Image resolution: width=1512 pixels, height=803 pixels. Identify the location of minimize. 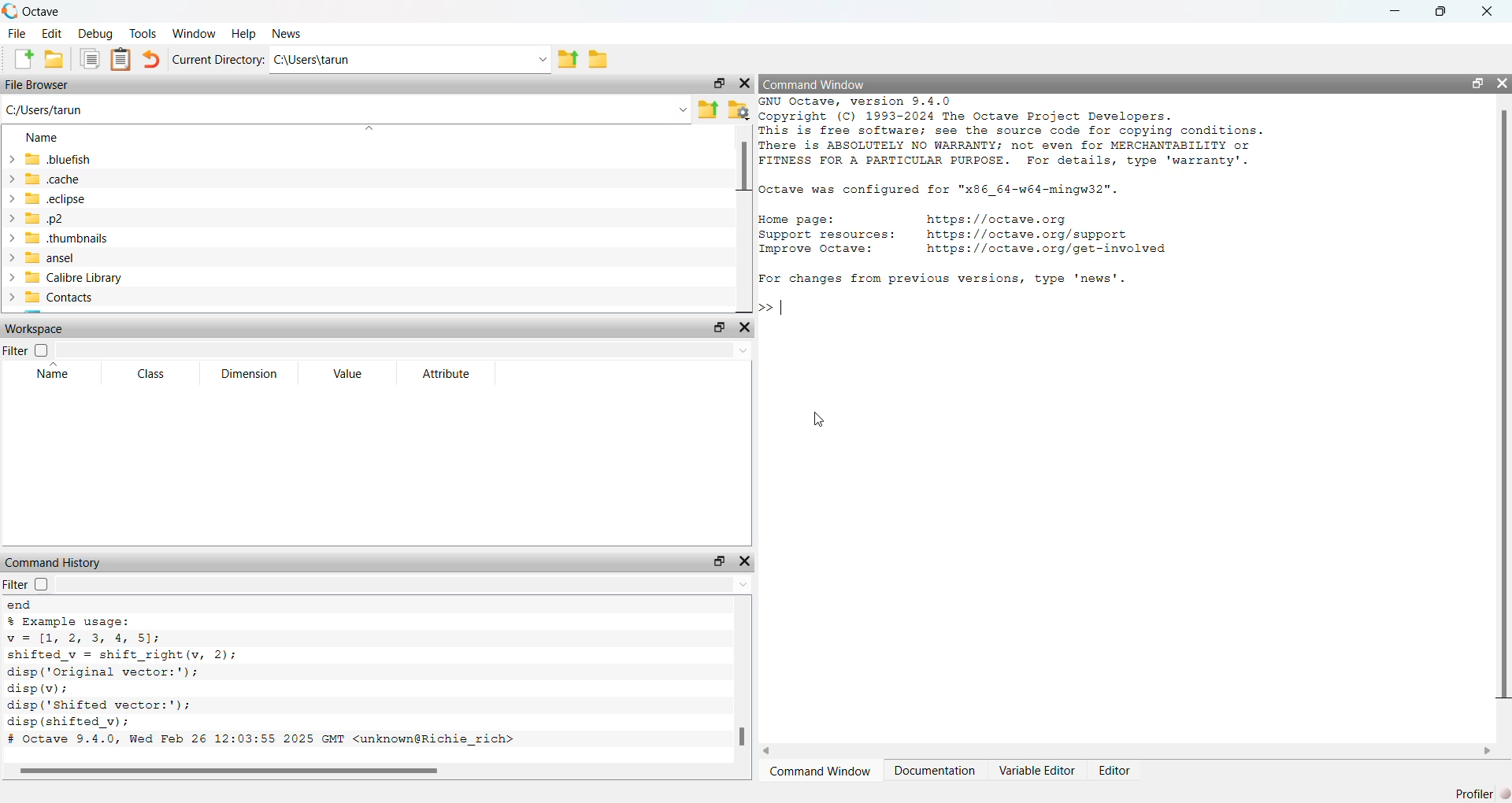
(1395, 10).